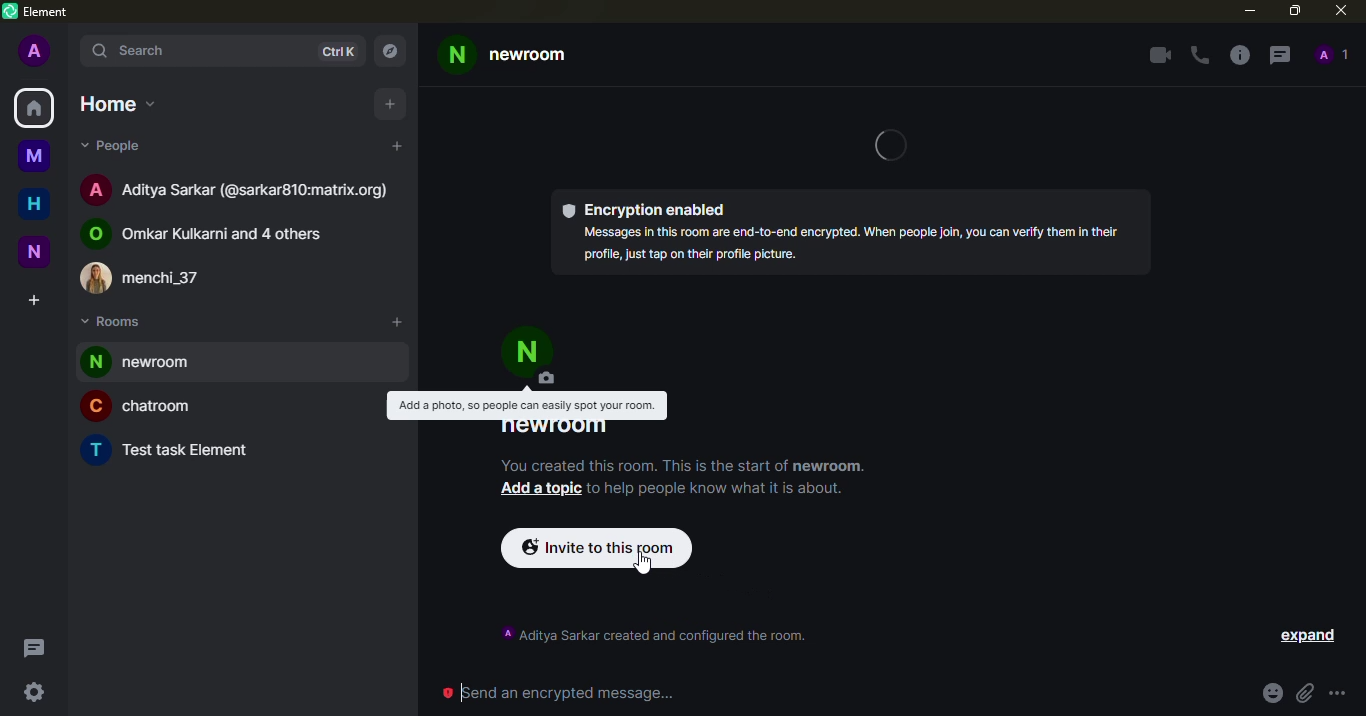 The height and width of the screenshot is (716, 1366). What do you see at coordinates (1281, 56) in the screenshot?
I see `threads` at bounding box center [1281, 56].